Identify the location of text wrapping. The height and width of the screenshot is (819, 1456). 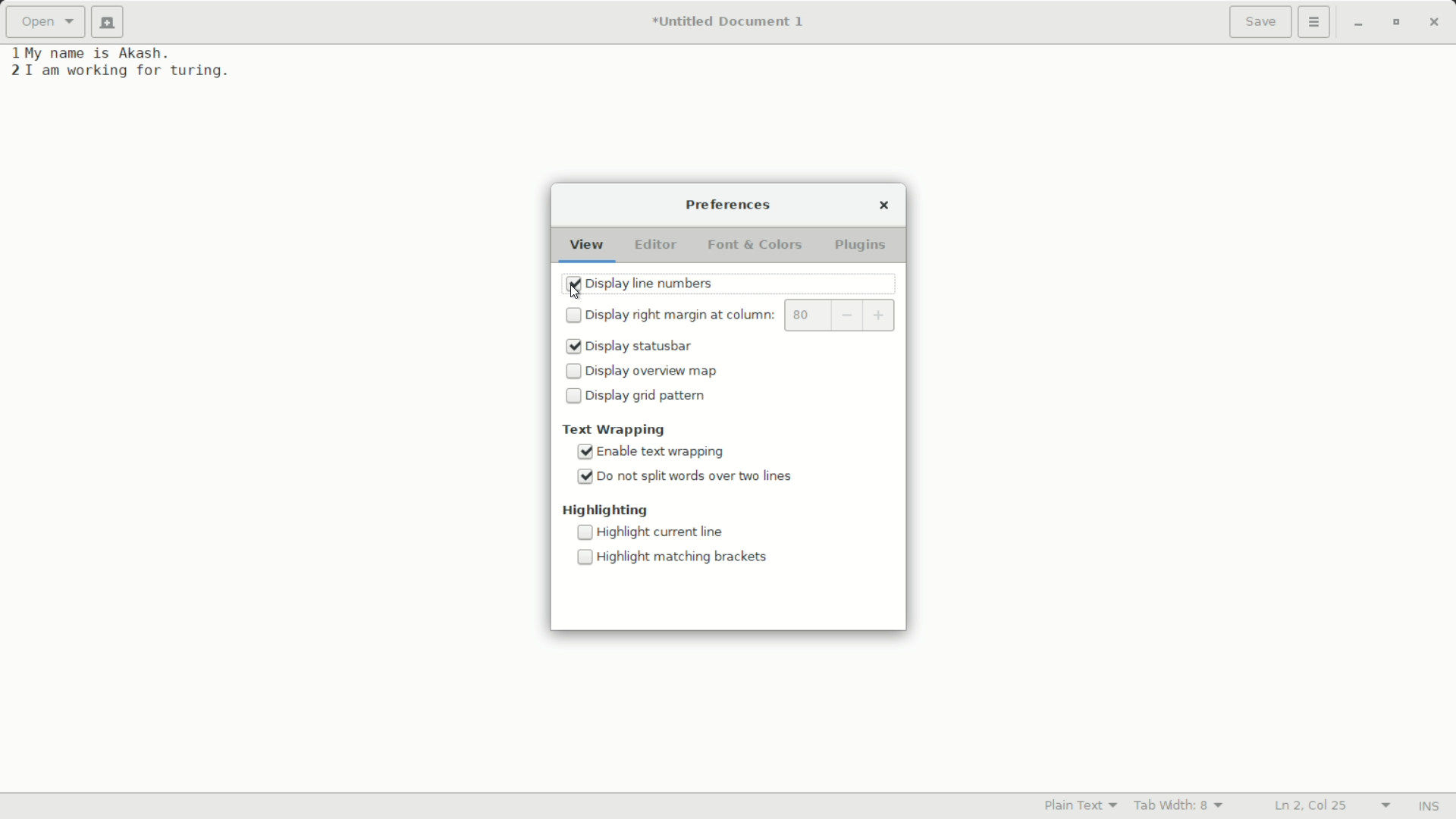
(616, 429).